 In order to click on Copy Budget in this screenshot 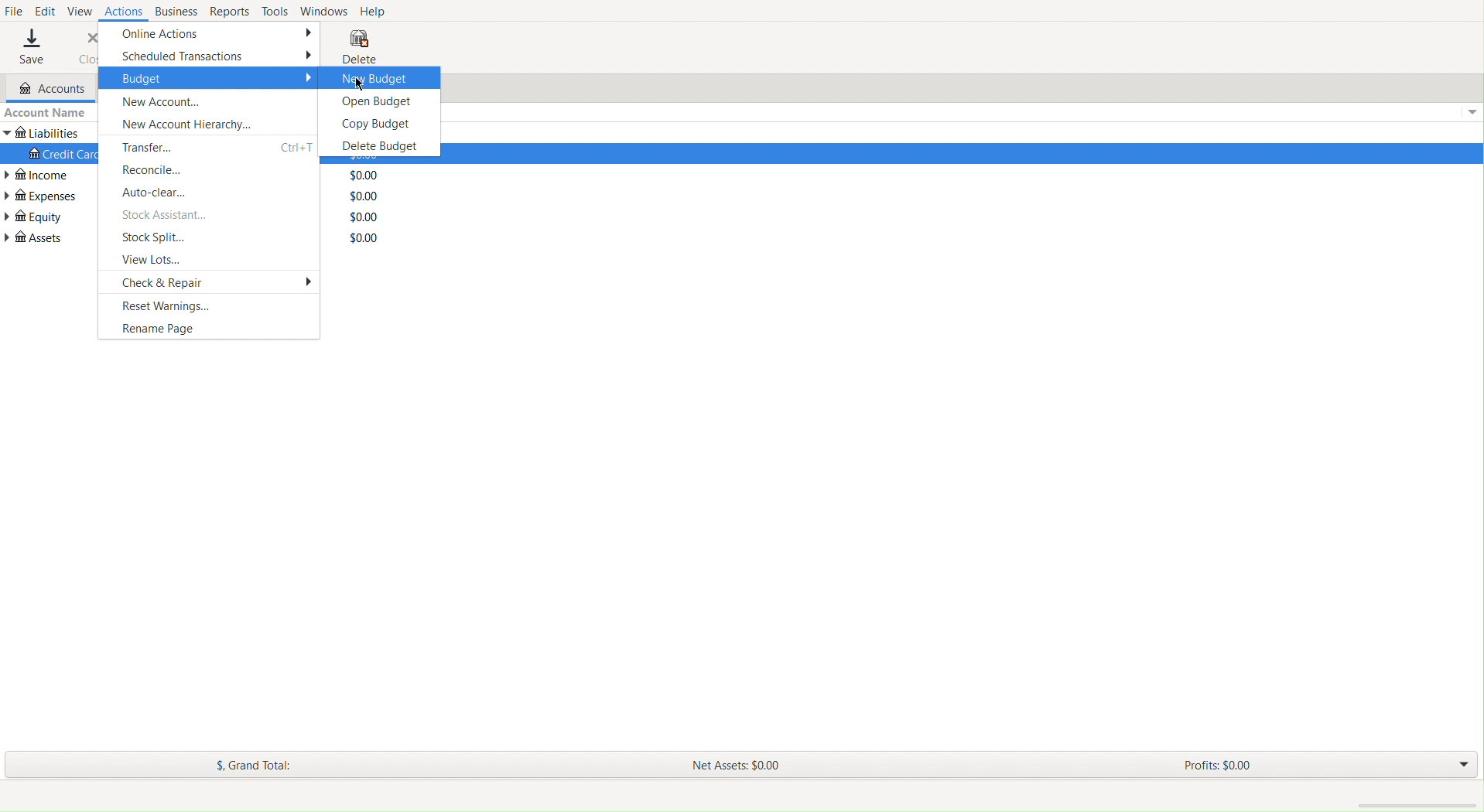, I will do `click(372, 122)`.